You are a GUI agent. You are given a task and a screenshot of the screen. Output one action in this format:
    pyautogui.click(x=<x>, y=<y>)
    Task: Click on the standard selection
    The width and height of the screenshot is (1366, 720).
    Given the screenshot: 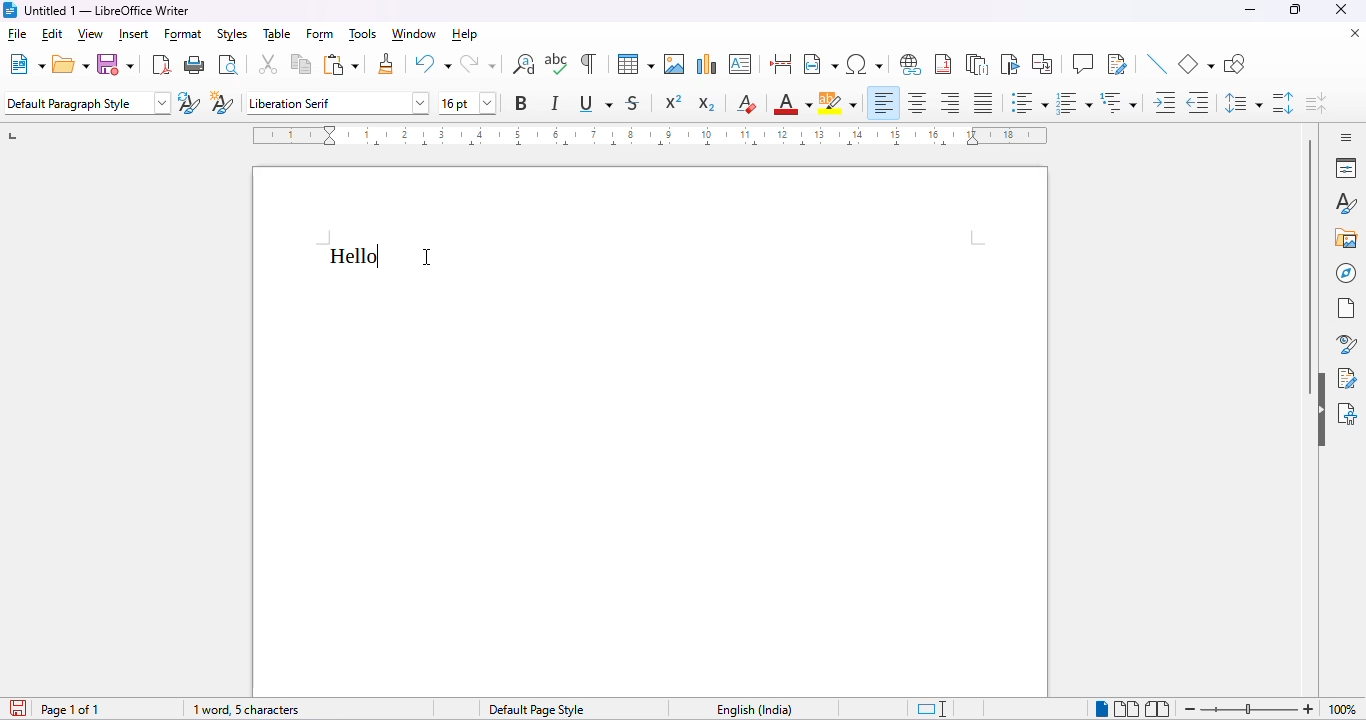 What is the action you would take?
    pyautogui.click(x=932, y=709)
    